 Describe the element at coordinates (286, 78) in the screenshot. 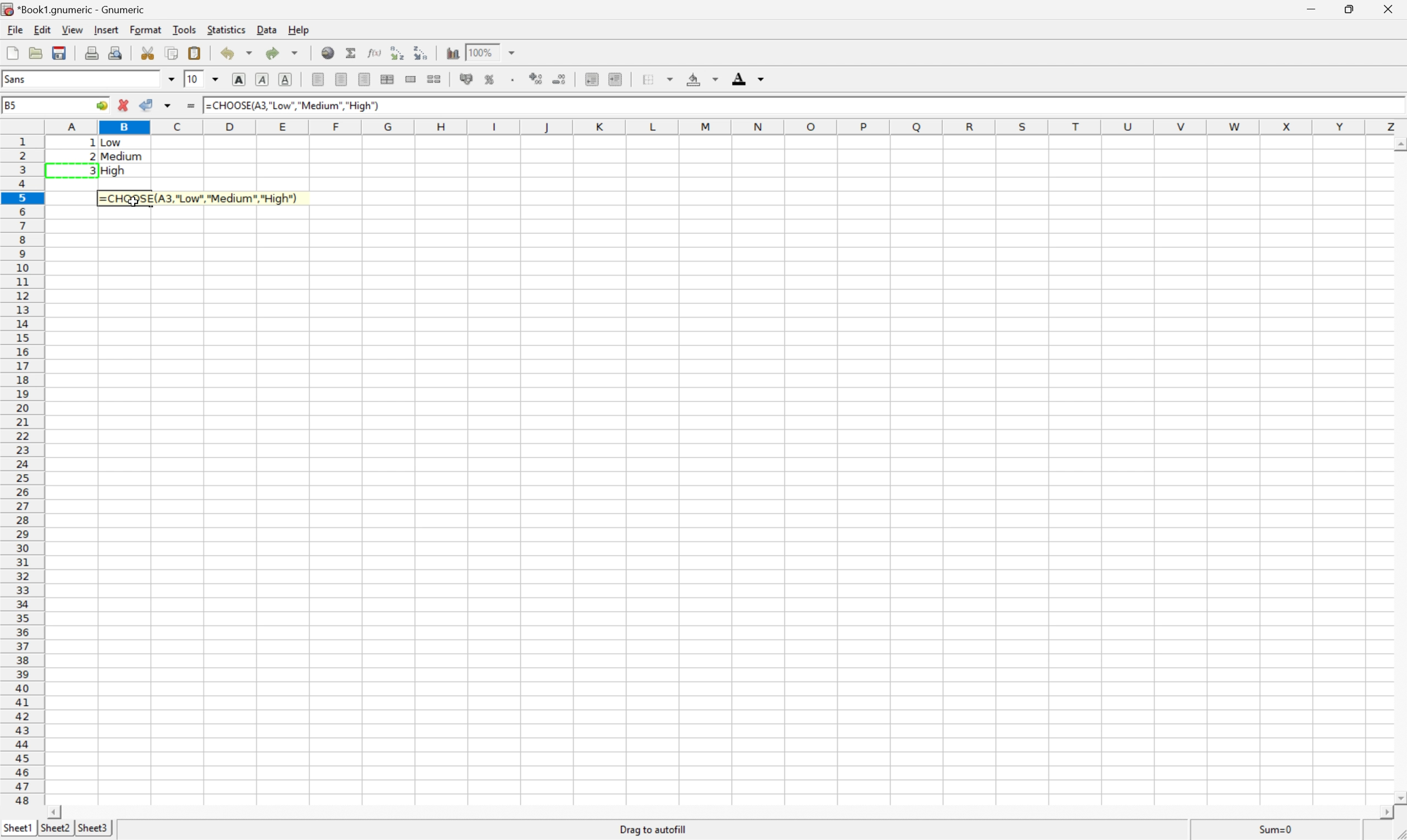

I see `Underline` at that location.